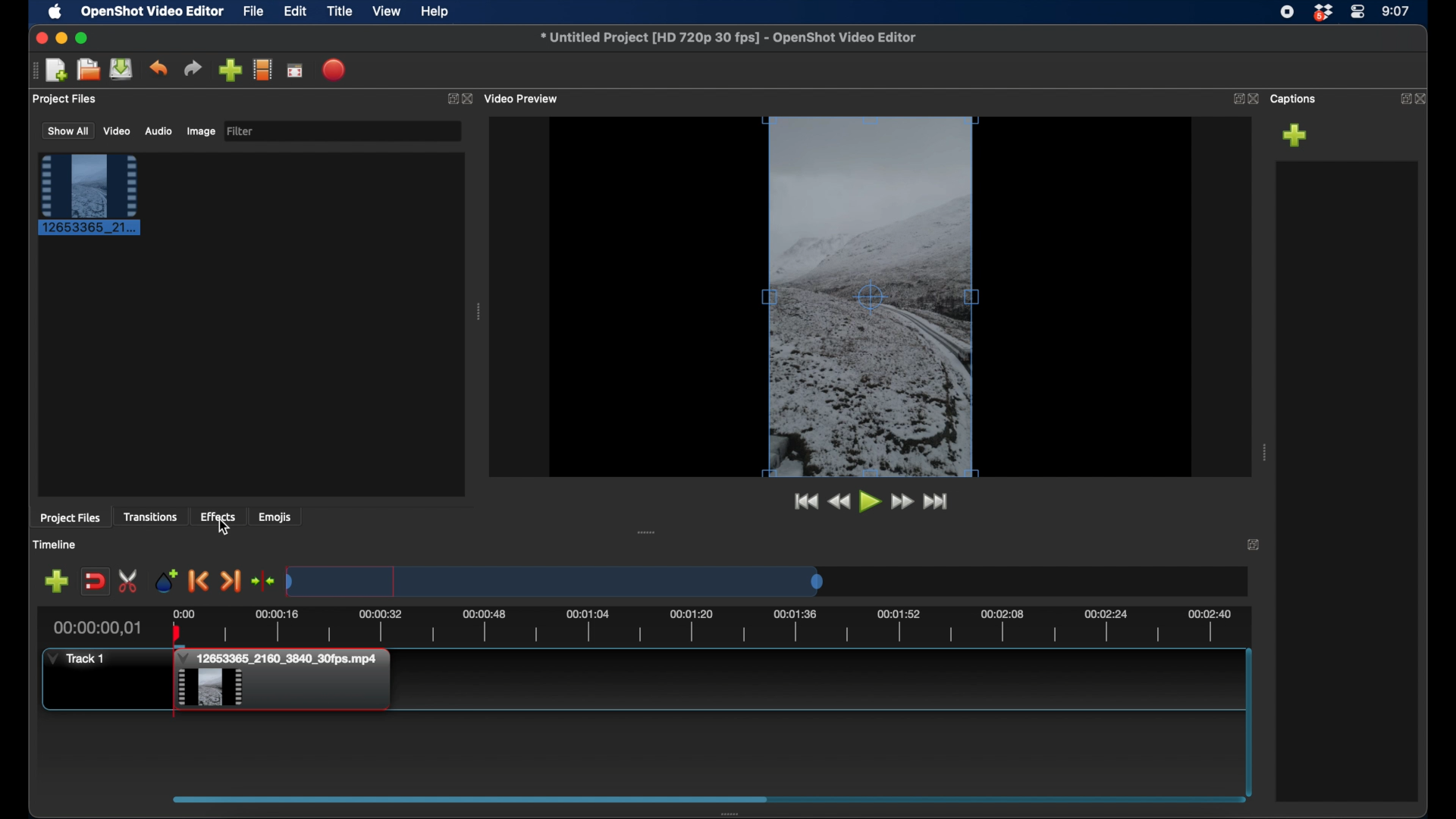  What do you see at coordinates (1254, 546) in the screenshot?
I see `expand` at bounding box center [1254, 546].